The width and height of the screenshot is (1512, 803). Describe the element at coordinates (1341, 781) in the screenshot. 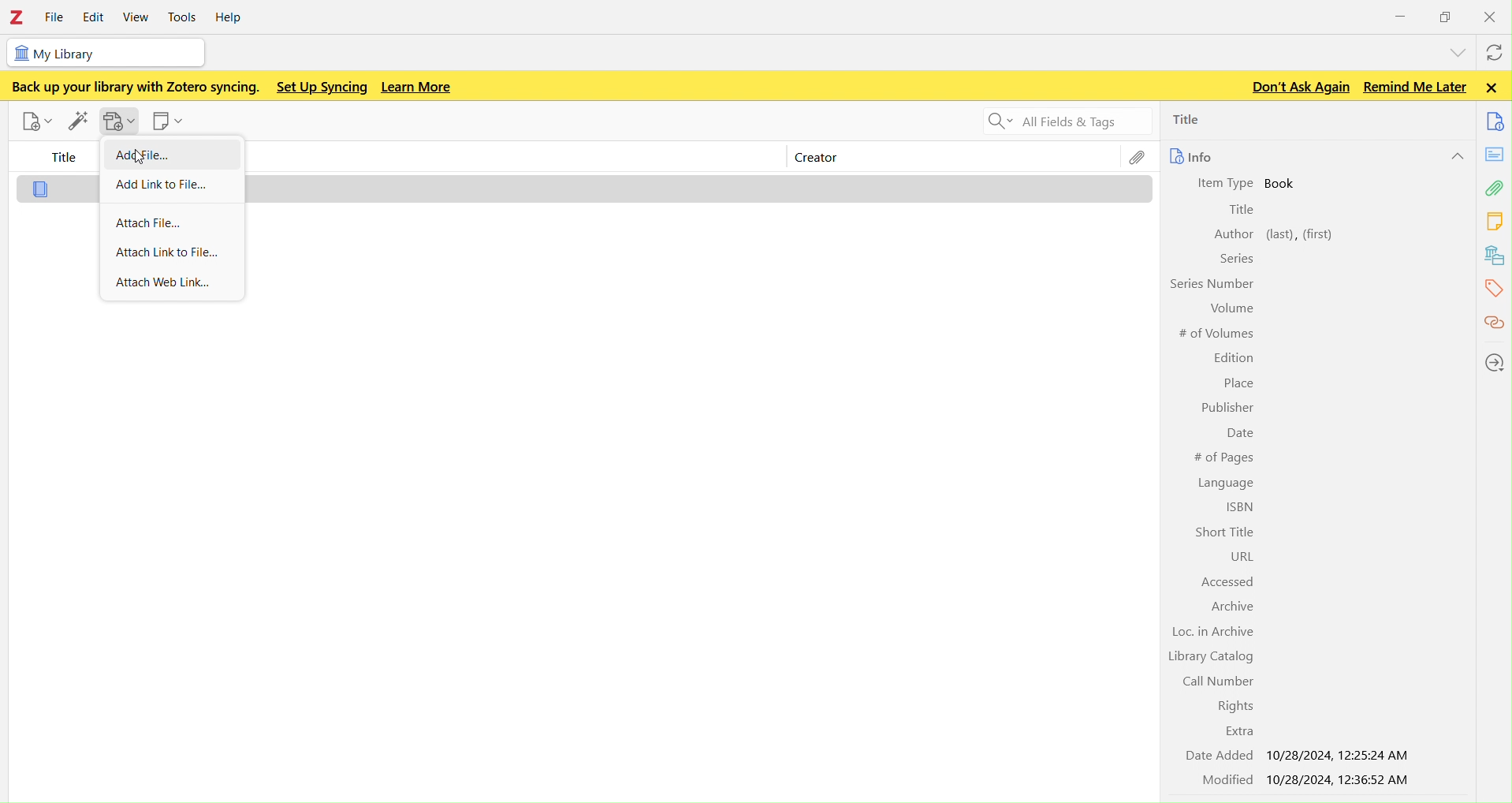

I see ` 10/28/2024, 12:36:52 AM` at that location.